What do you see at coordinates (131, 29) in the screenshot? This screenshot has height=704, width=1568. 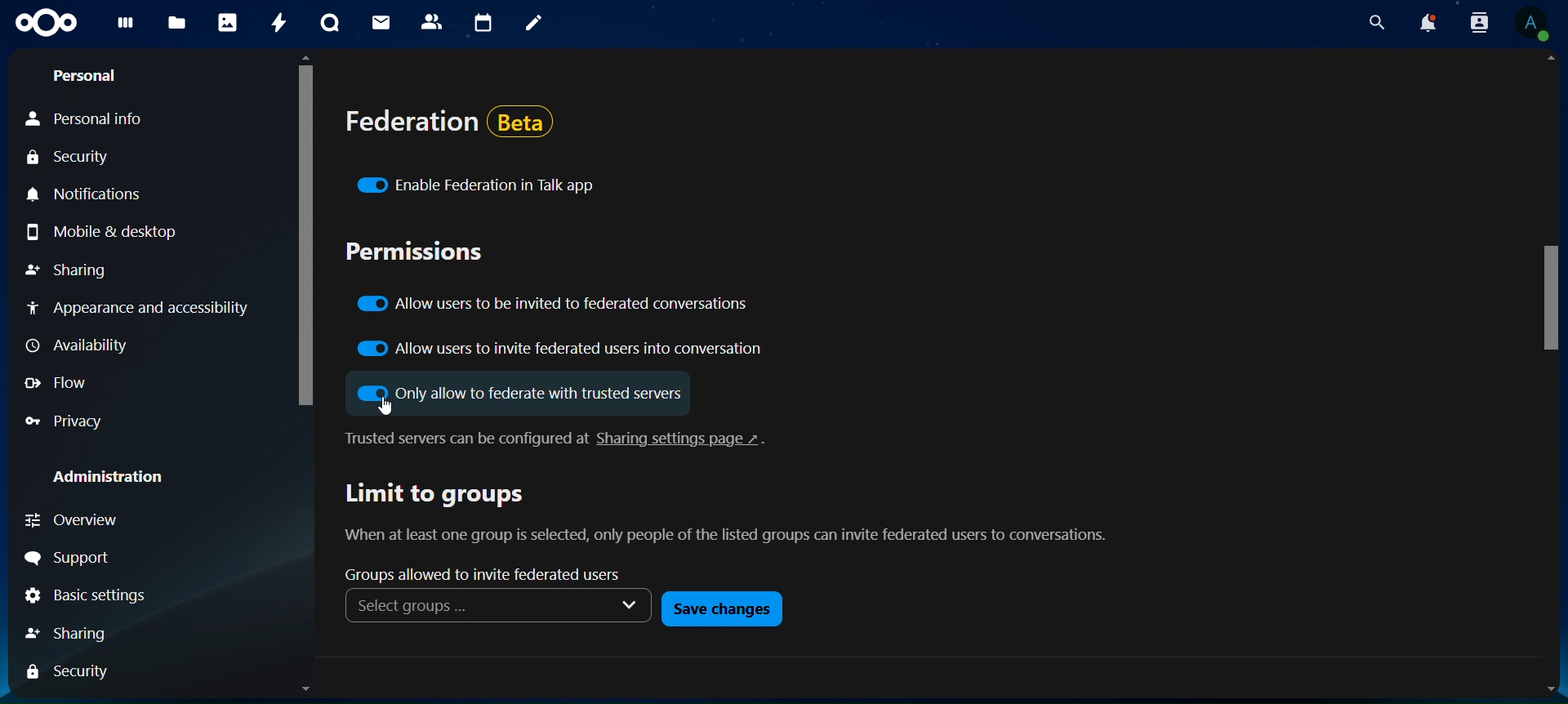 I see `dashboard` at bounding box center [131, 29].